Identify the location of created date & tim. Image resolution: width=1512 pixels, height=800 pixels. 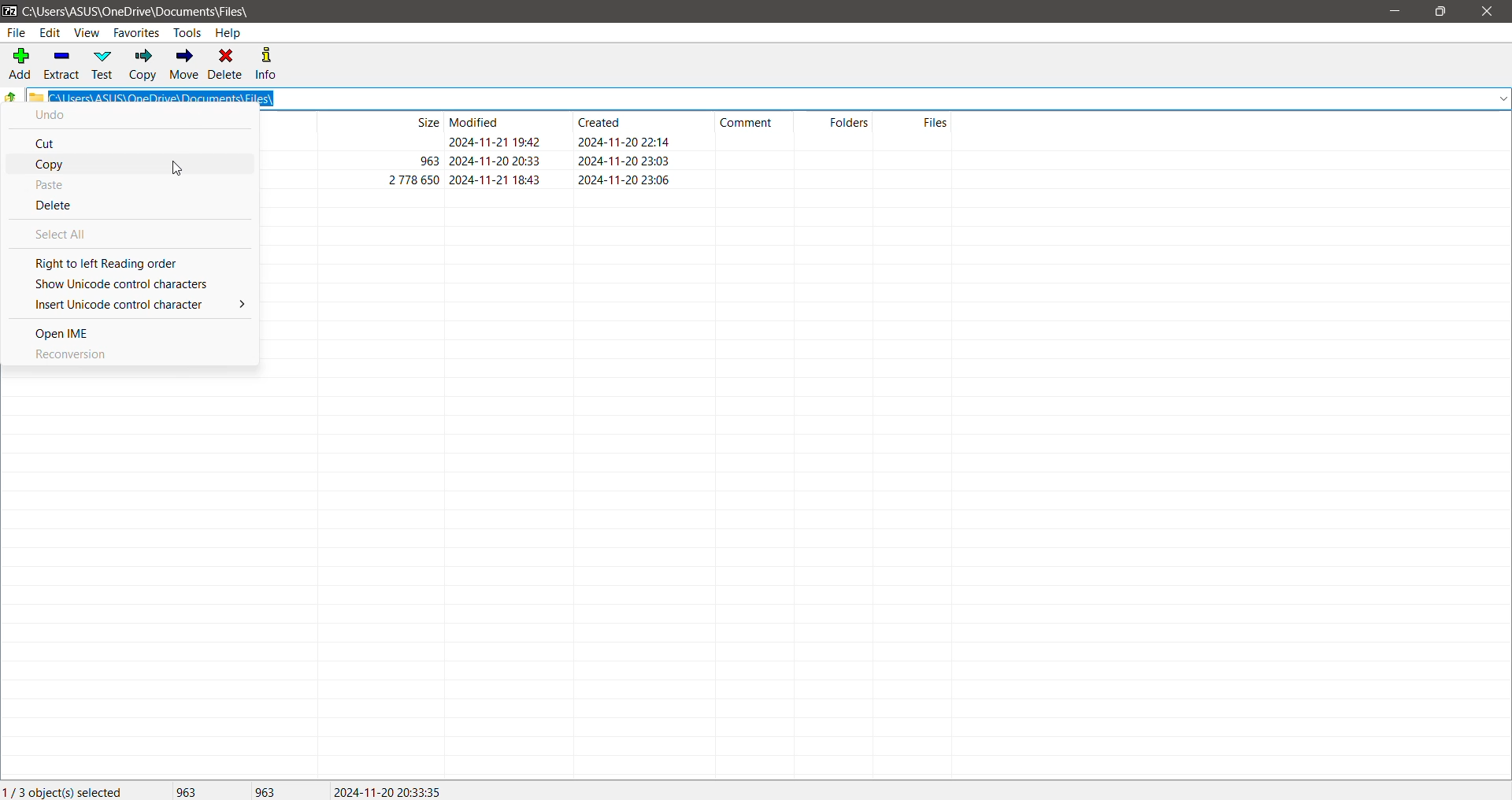
(625, 160).